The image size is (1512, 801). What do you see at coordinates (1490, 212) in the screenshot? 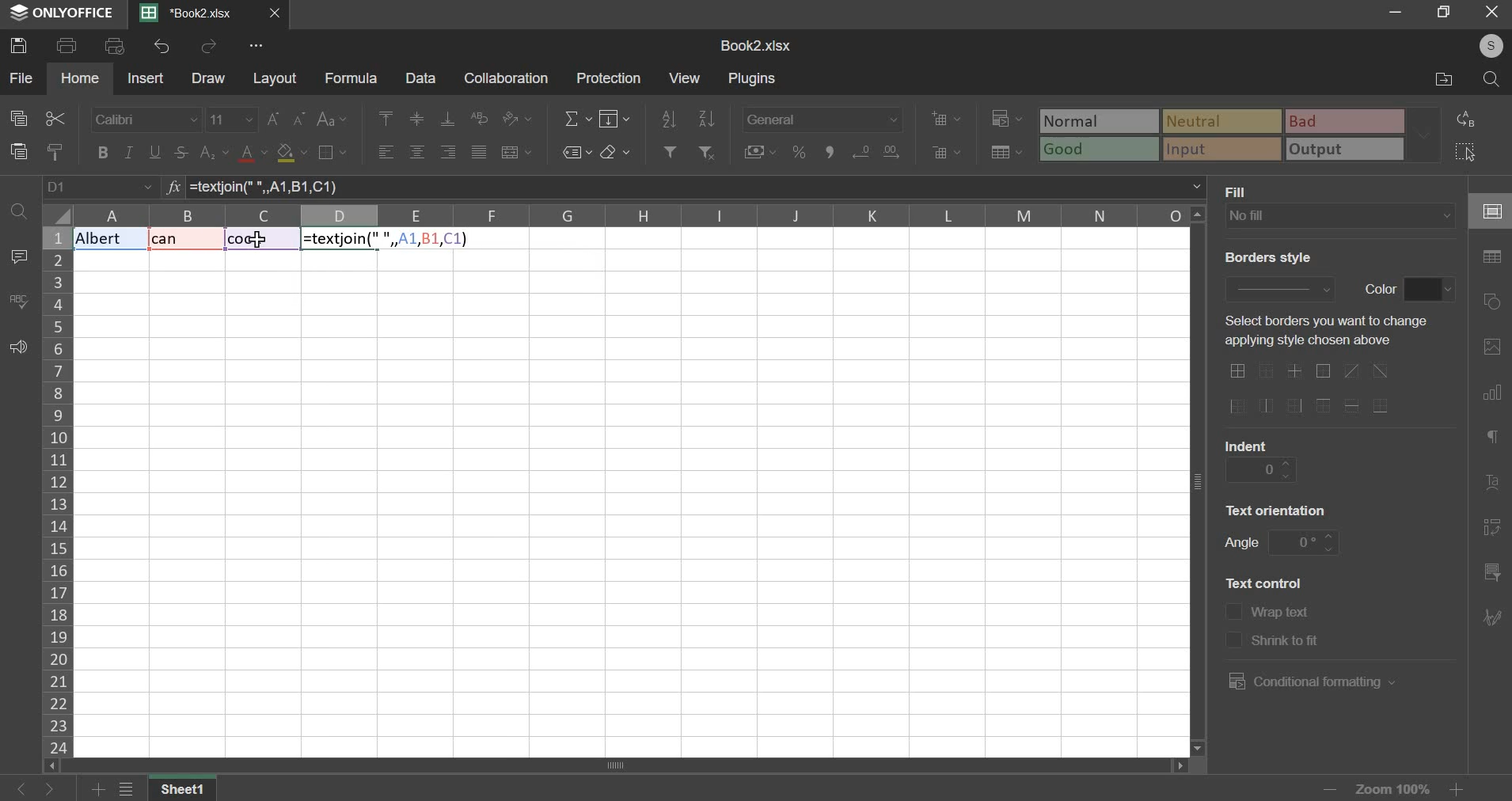
I see `cell` at bounding box center [1490, 212].